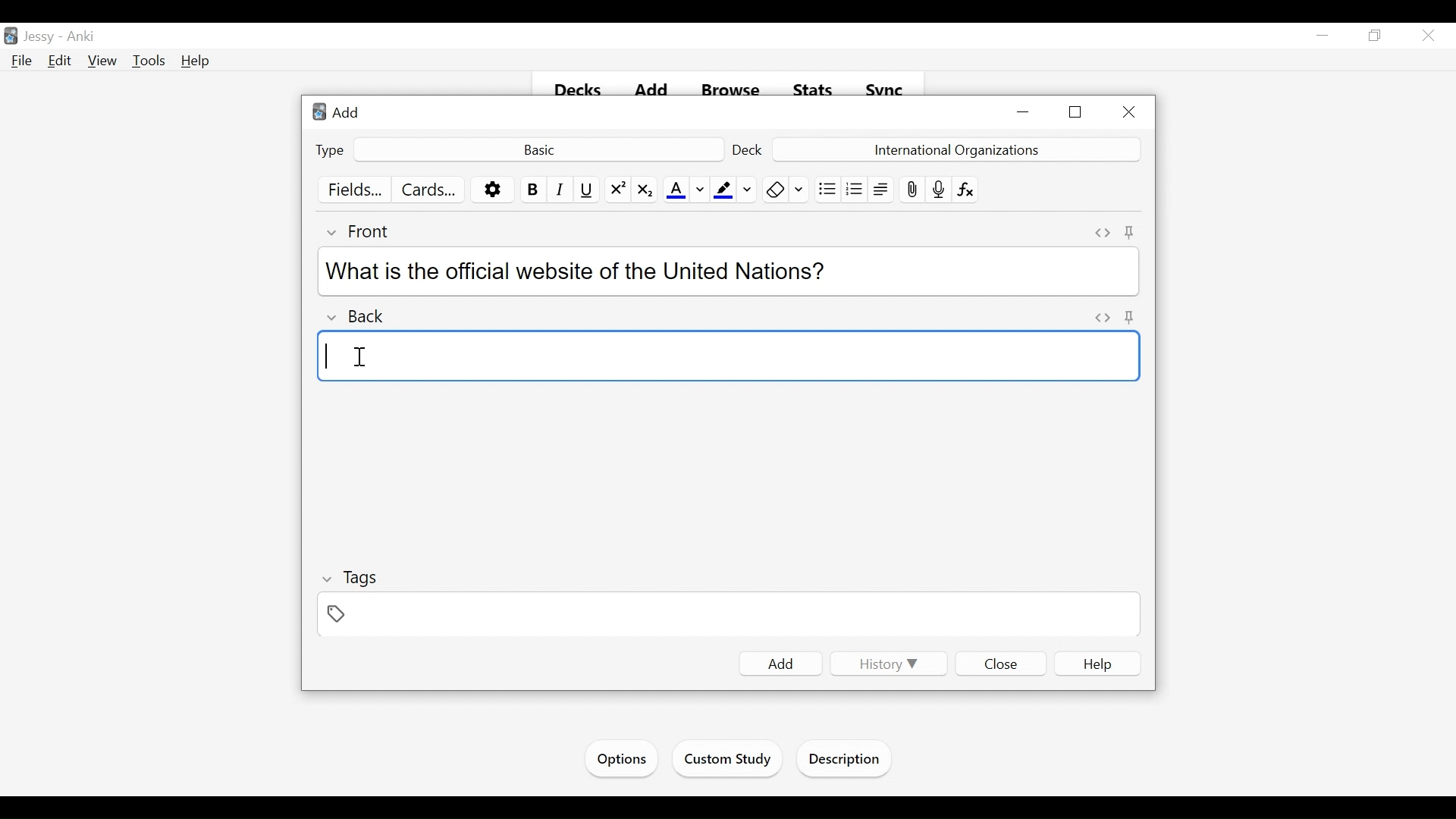 This screenshot has width=1456, height=819. Describe the element at coordinates (197, 62) in the screenshot. I see `Help` at that location.